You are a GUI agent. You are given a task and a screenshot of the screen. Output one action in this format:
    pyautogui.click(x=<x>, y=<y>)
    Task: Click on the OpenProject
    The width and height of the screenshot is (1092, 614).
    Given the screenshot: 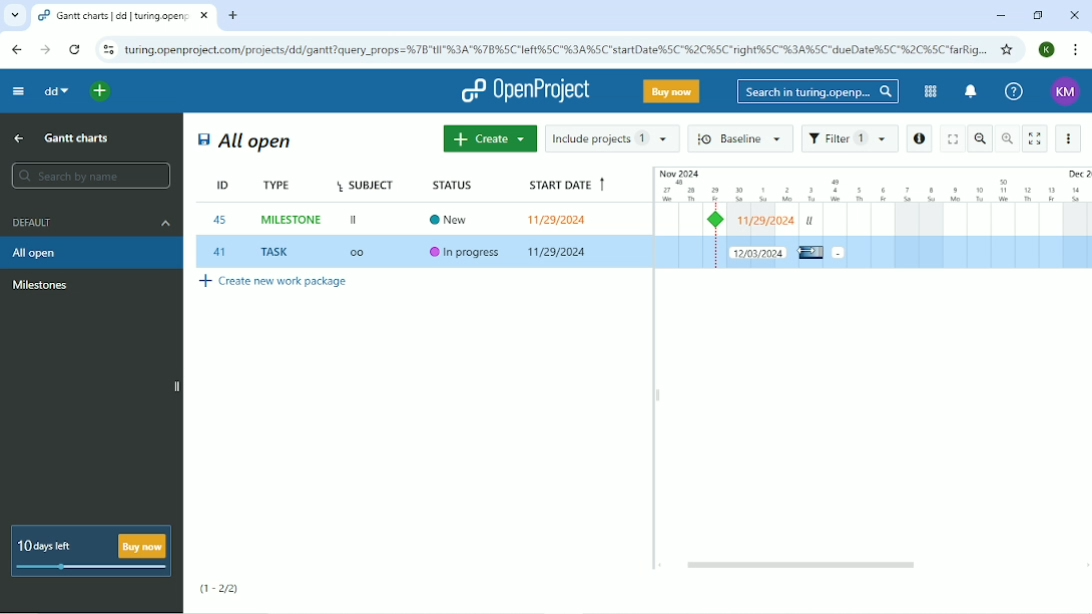 What is the action you would take?
    pyautogui.click(x=525, y=91)
    